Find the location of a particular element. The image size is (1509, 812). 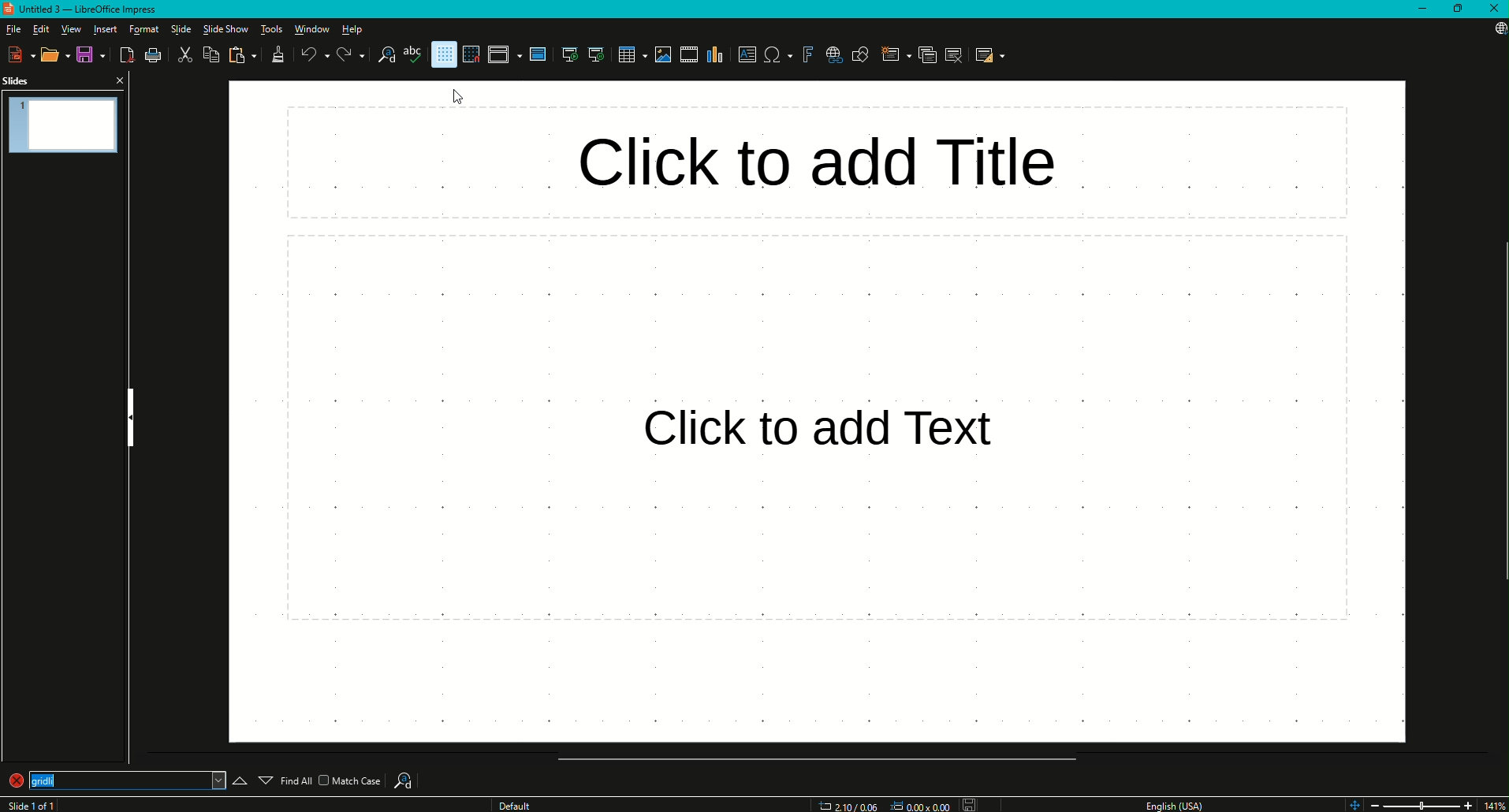

Down is located at coordinates (265, 776).